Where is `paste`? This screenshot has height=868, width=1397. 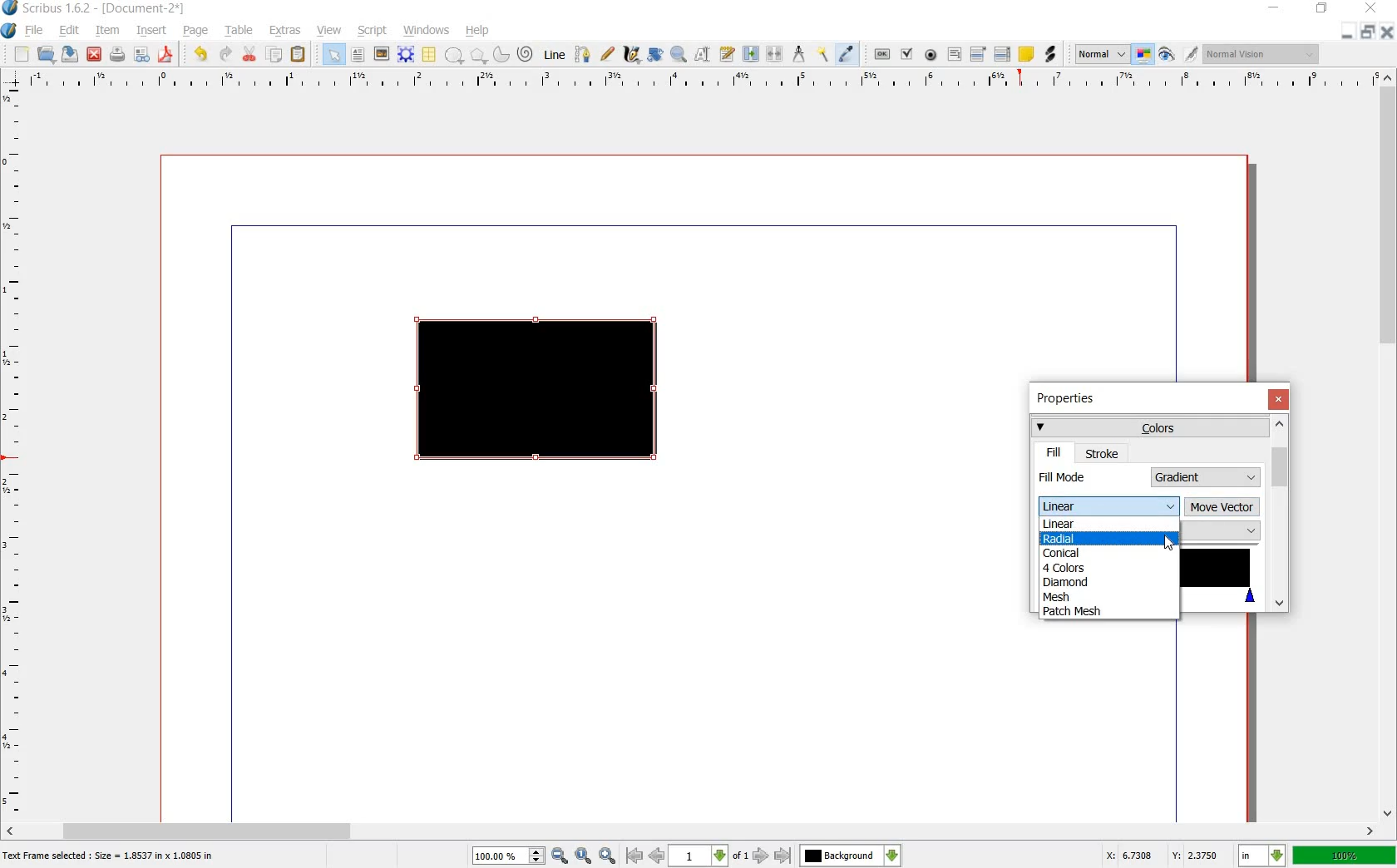 paste is located at coordinates (299, 55).